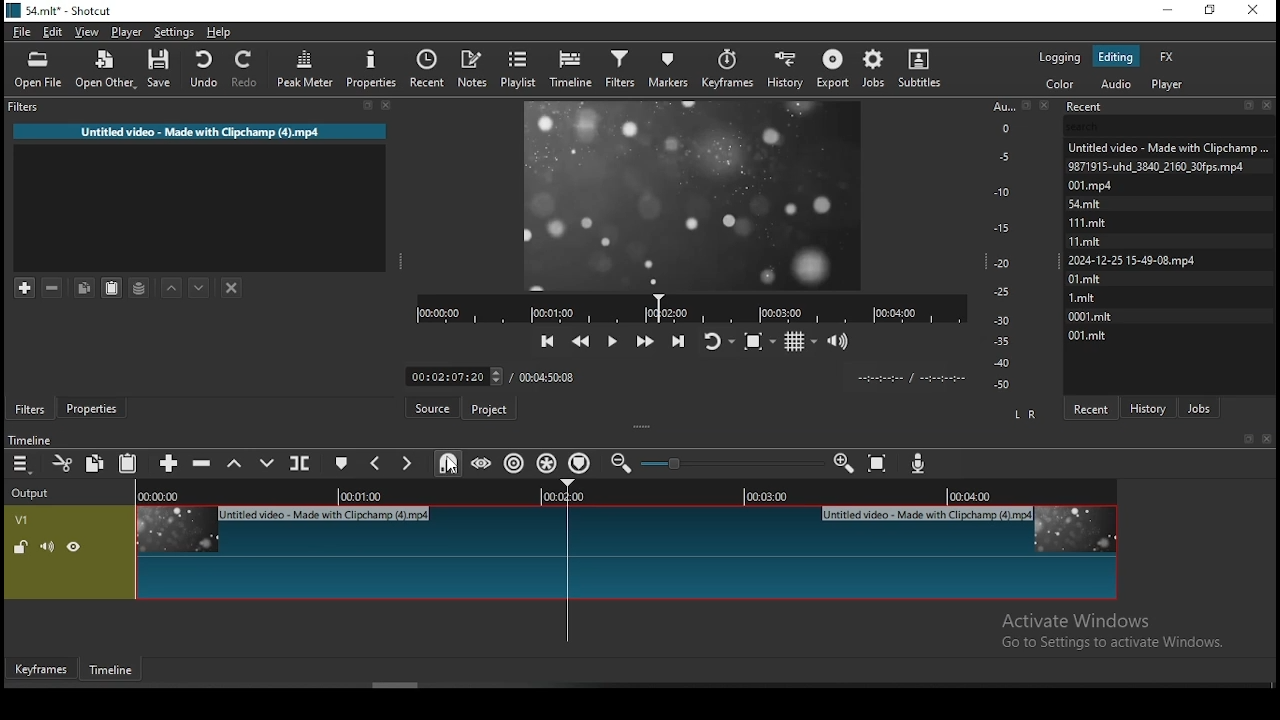 The image size is (1280, 720). Describe the element at coordinates (1059, 57) in the screenshot. I see `logging` at that location.